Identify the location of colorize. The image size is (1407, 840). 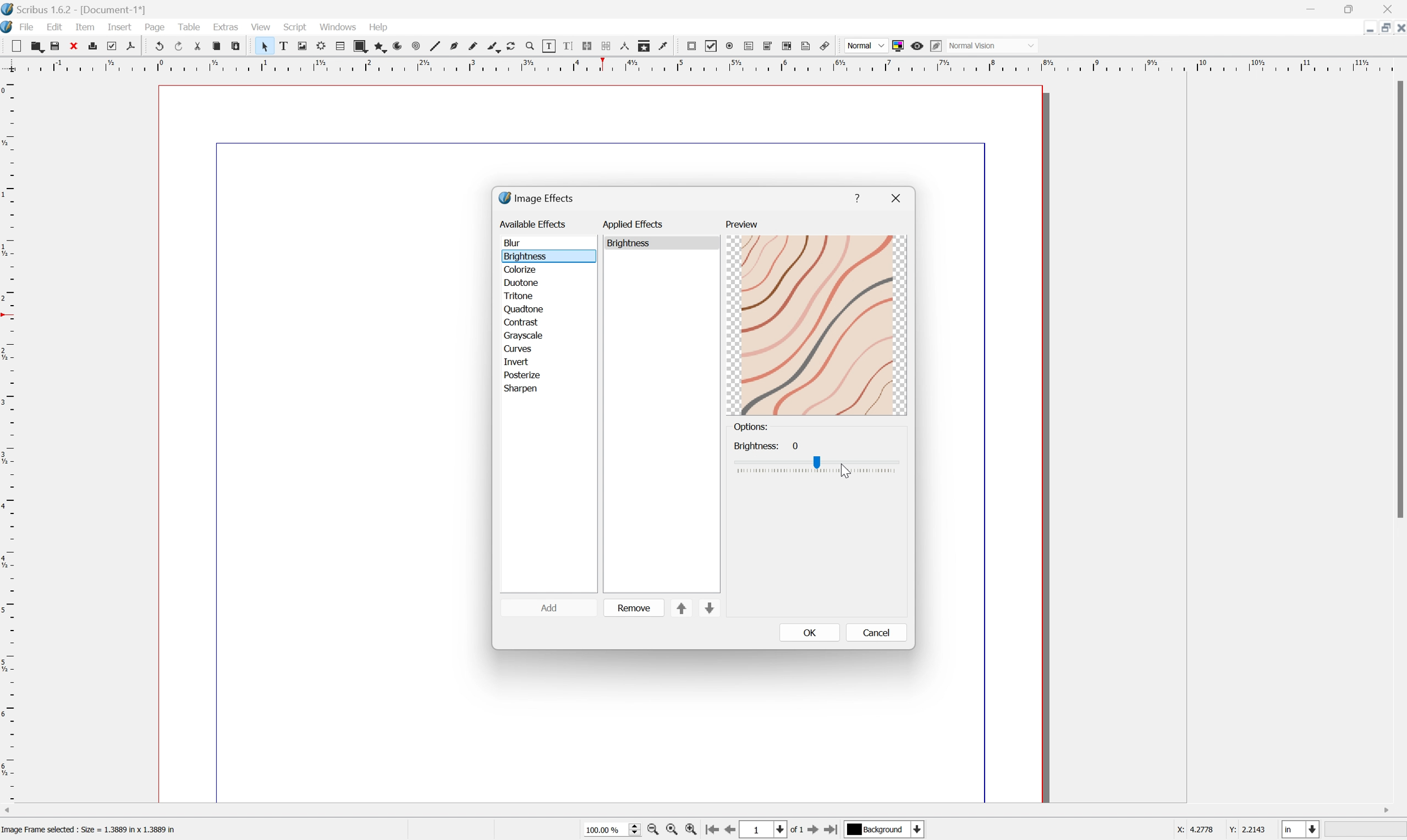
(521, 269).